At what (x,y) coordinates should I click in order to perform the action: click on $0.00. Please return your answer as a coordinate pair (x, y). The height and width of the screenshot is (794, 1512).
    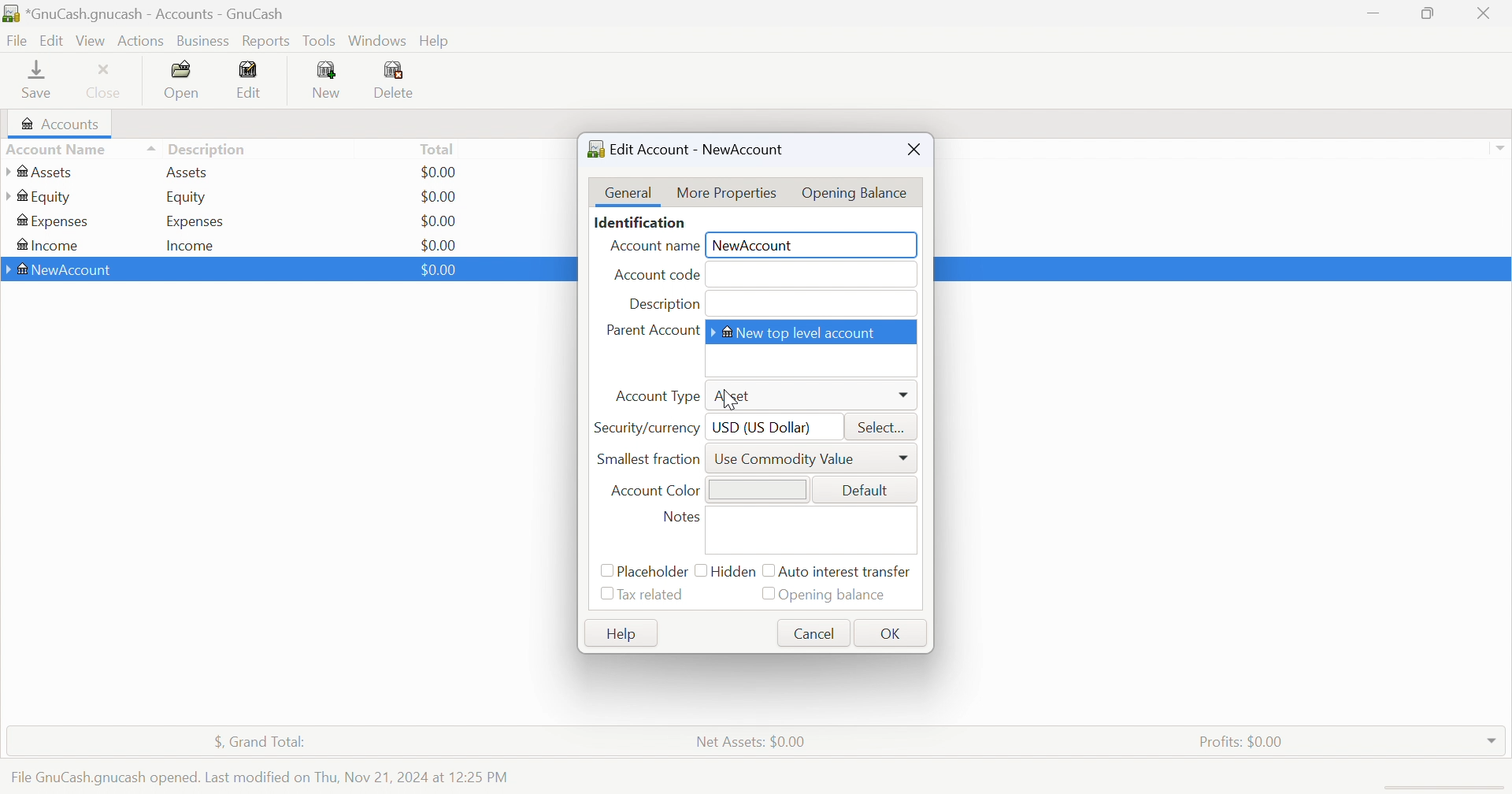
    Looking at the image, I should click on (438, 221).